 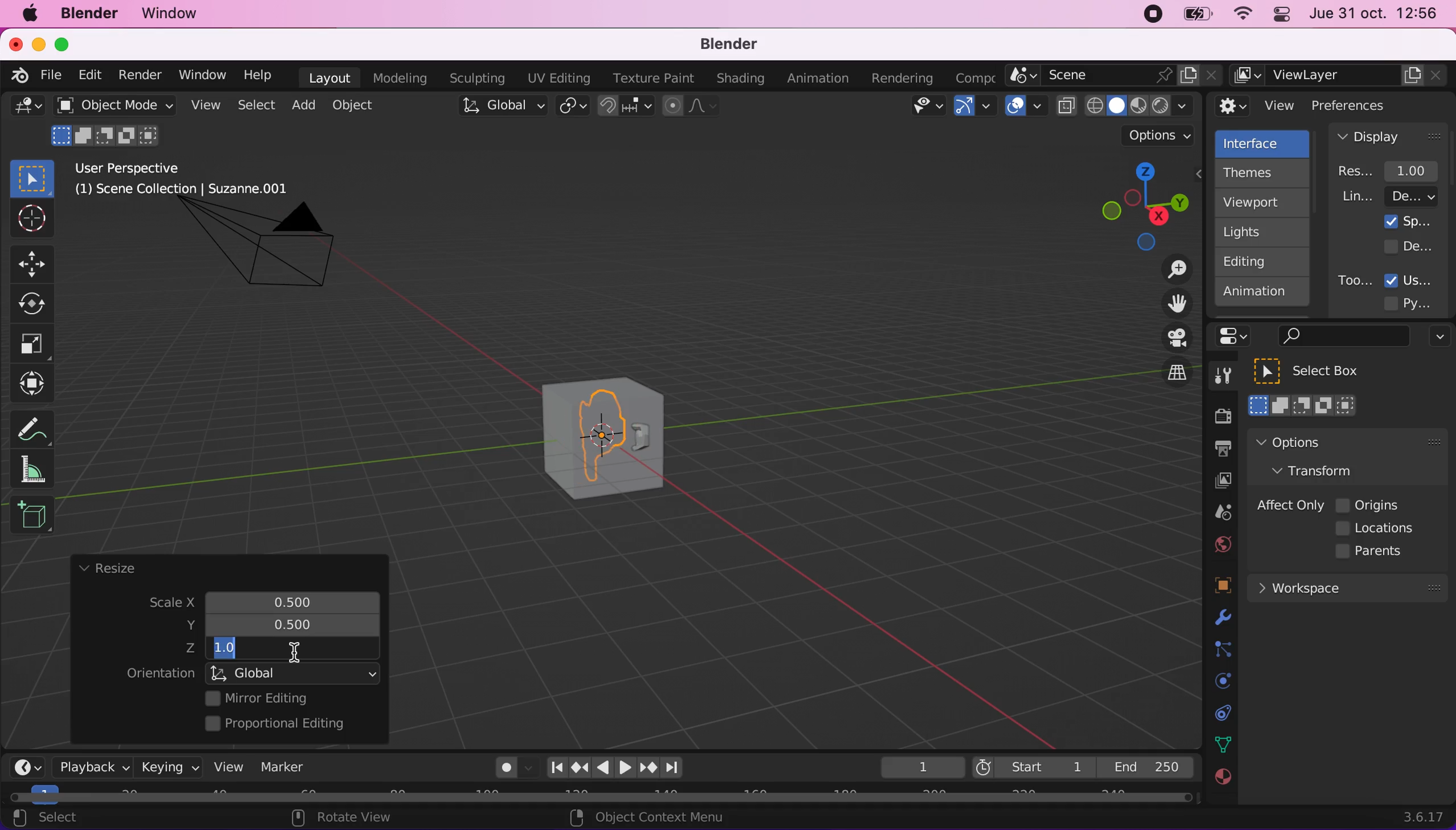 What do you see at coordinates (1389, 196) in the screenshot?
I see `line width` at bounding box center [1389, 196].